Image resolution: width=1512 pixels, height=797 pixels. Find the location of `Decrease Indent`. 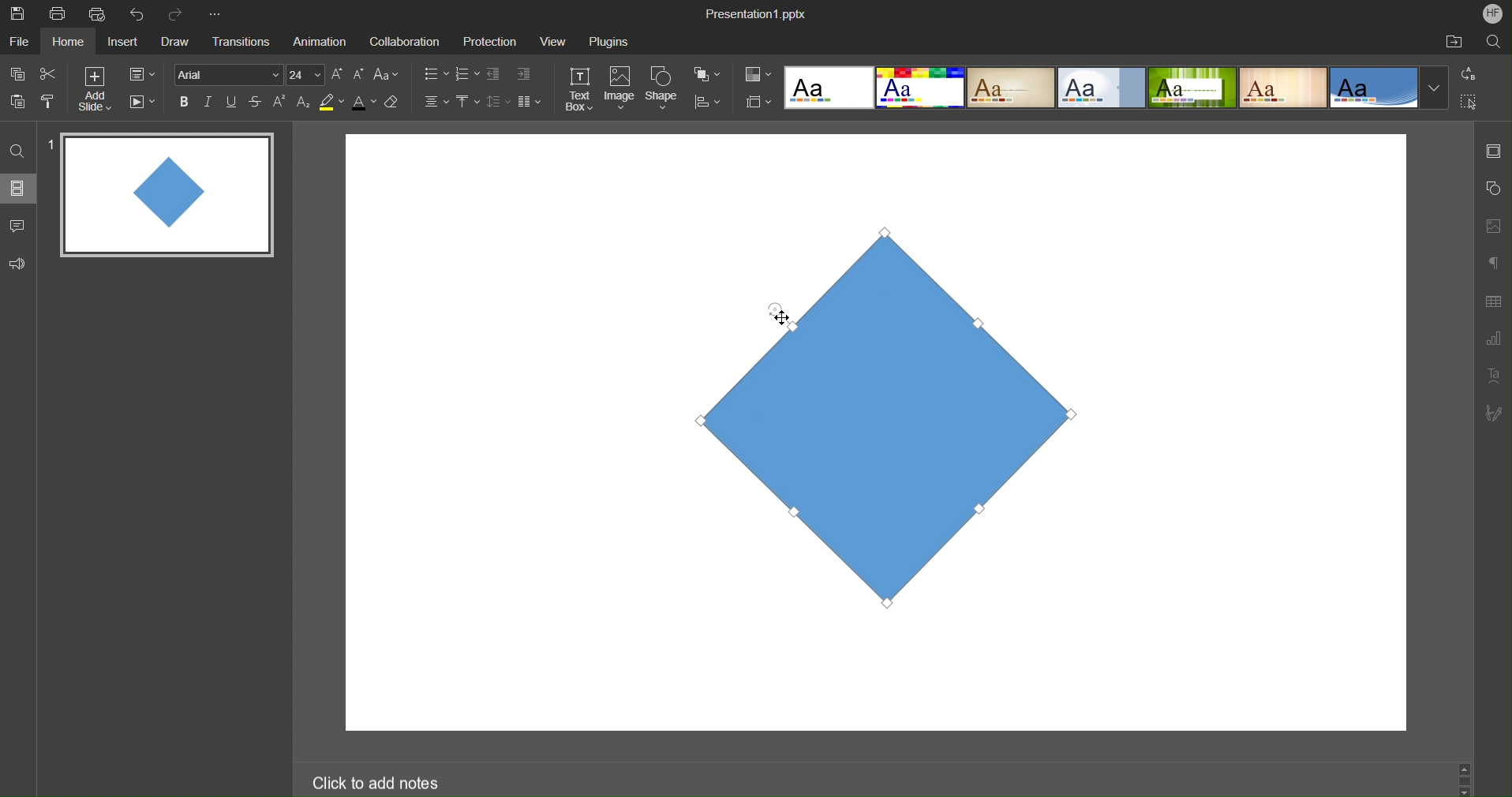

Decrease Indent is located at coordinates (494, 74).